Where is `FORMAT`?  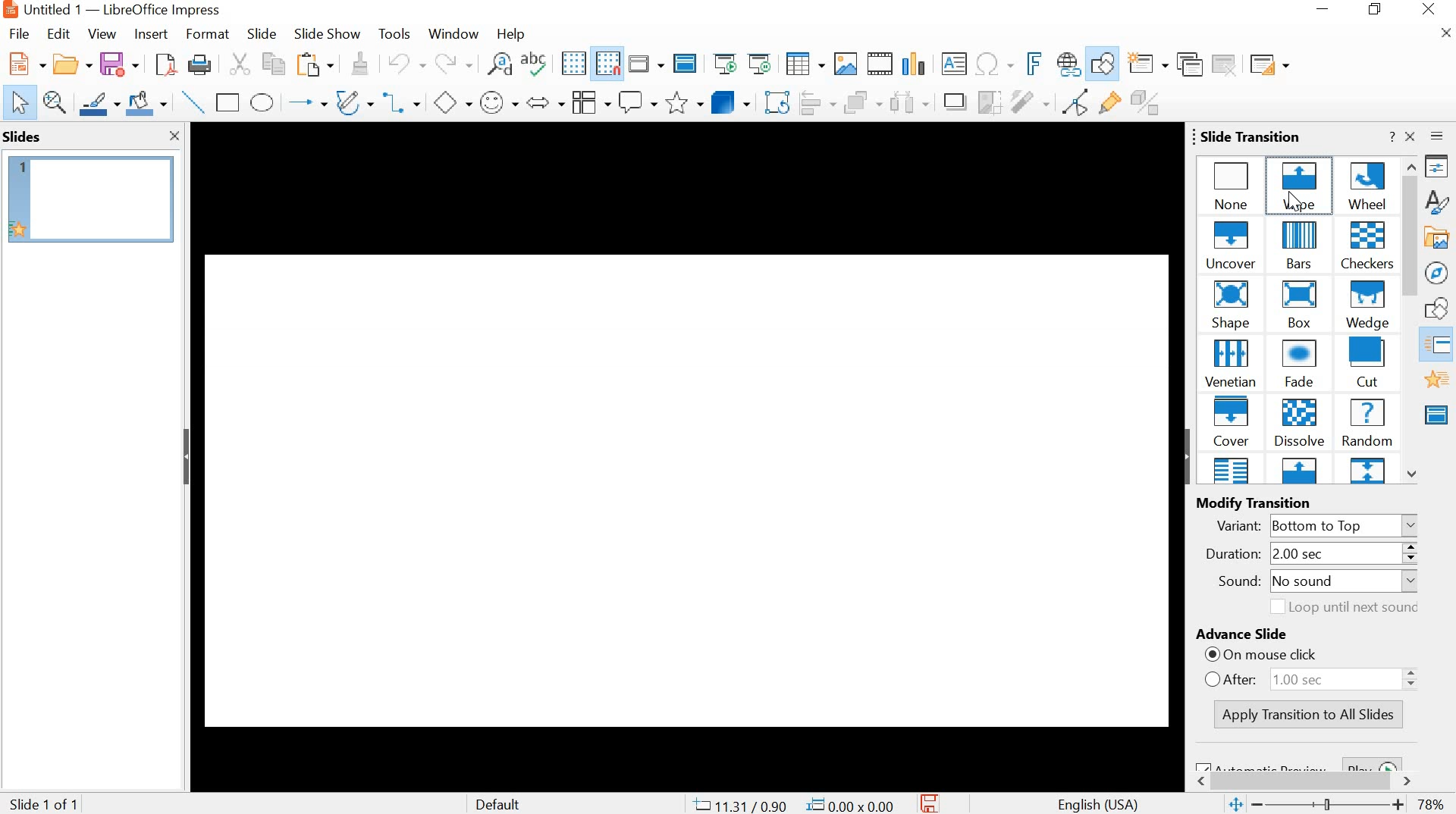 FORMAT is located at coordinates (206, 36).